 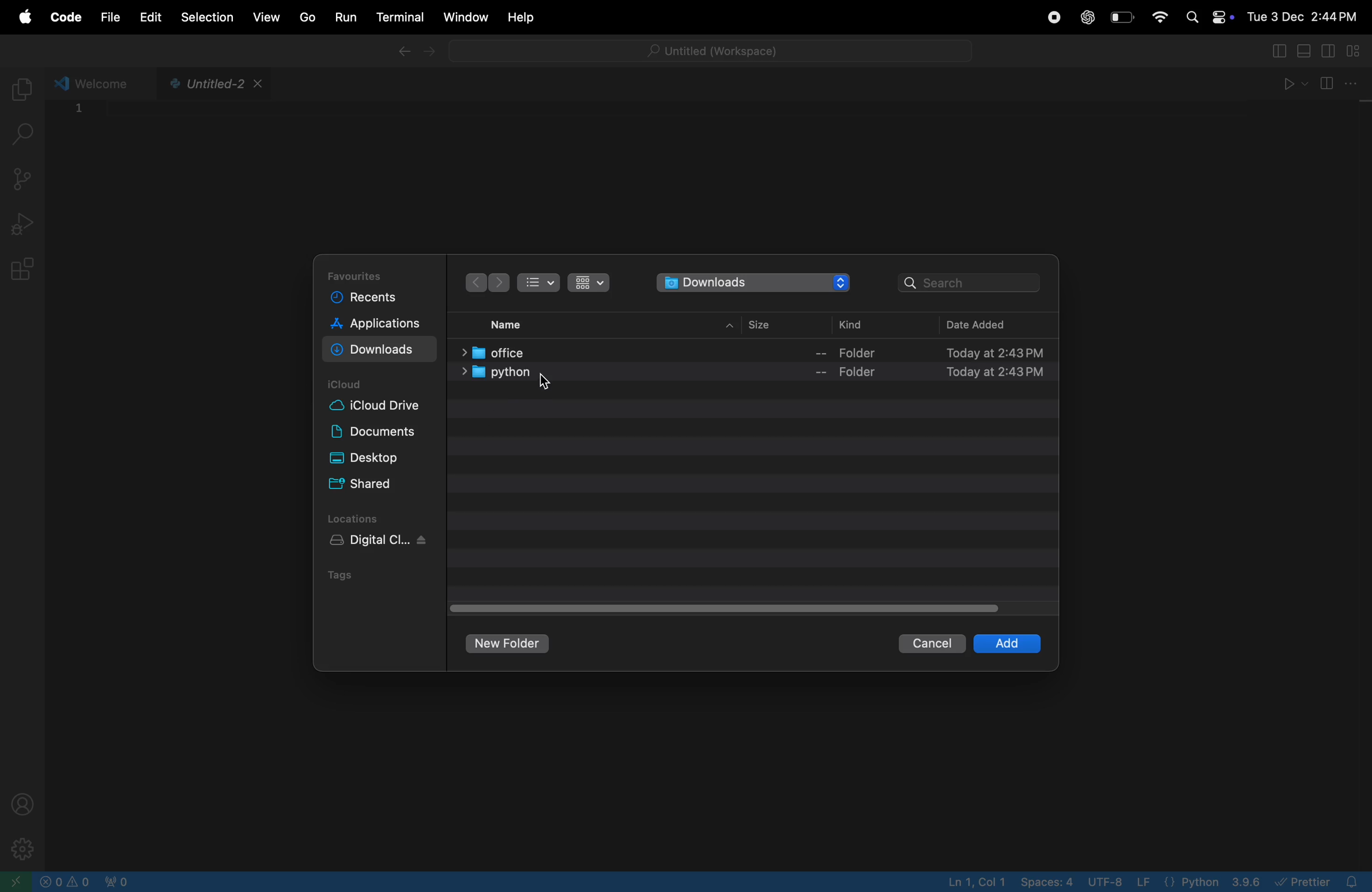 What do you see at coordinates (25, 271) in the screenshot?
I see `extensions` at bounding box center [25, 271].